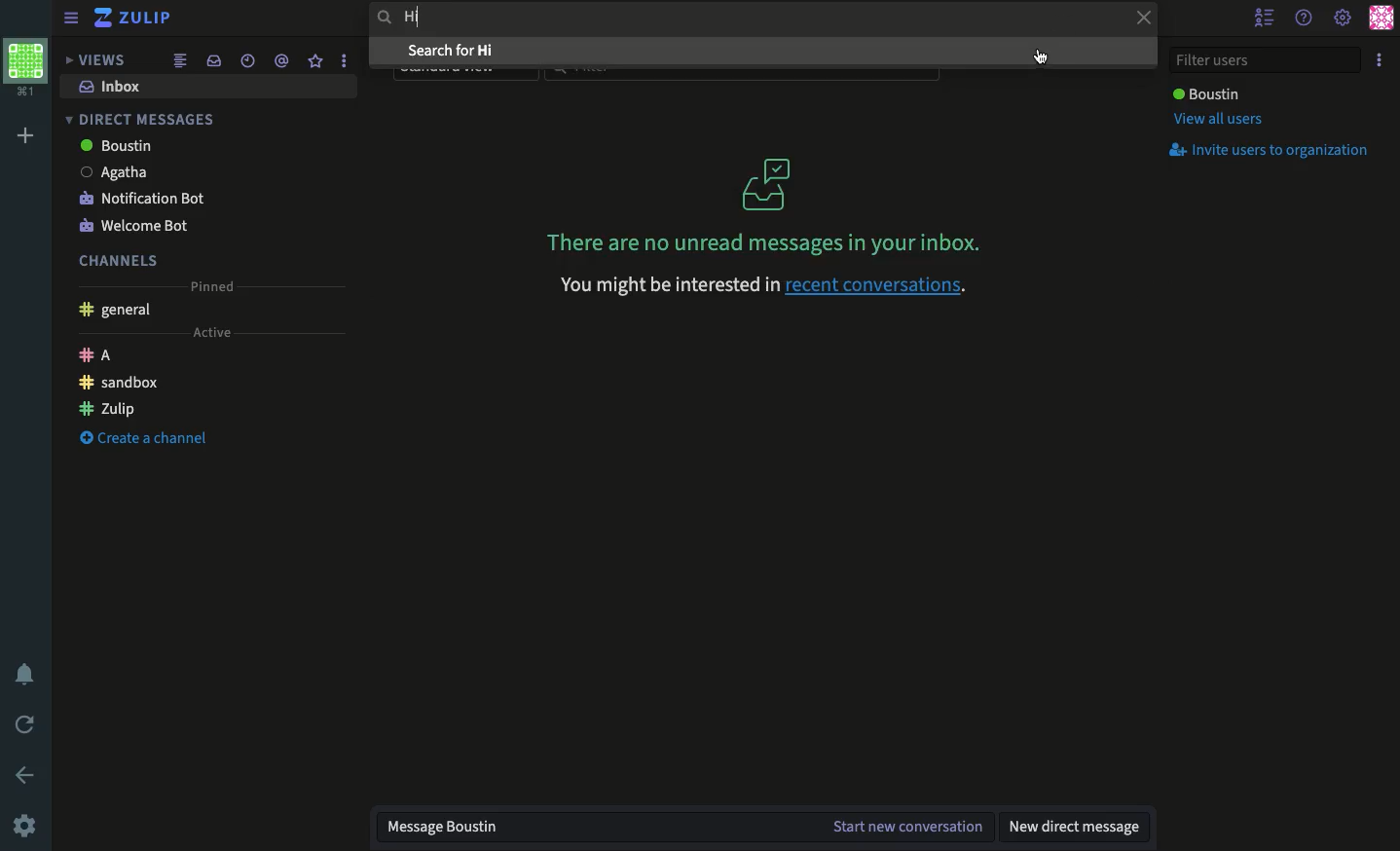 The width and height of the screenshot is (1400, 851). Describe the element at coordinates (26, 69) in the screenshot. I see `Profile` at that location.